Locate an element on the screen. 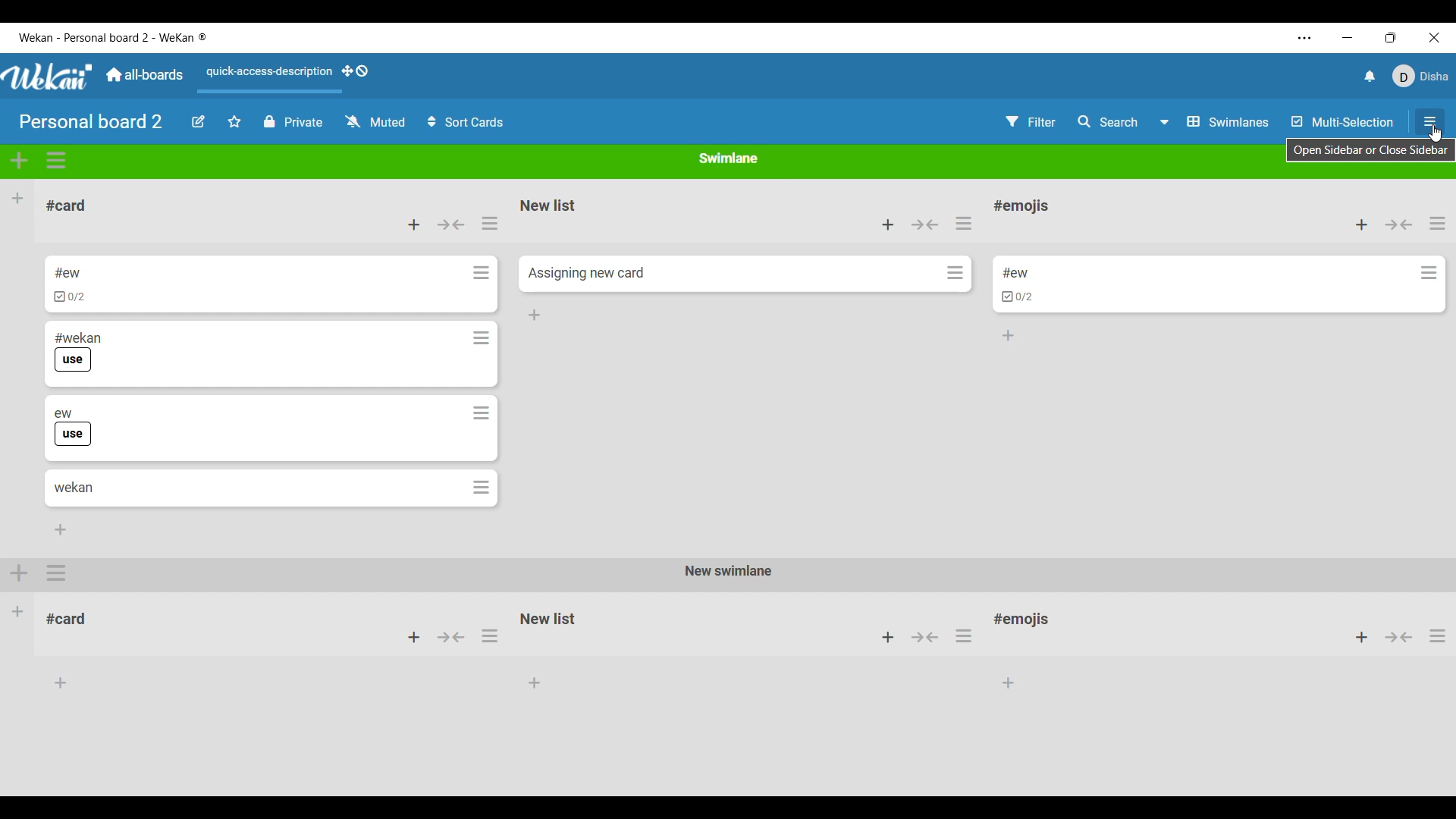  More settings is located at coordinates (1304, 39).